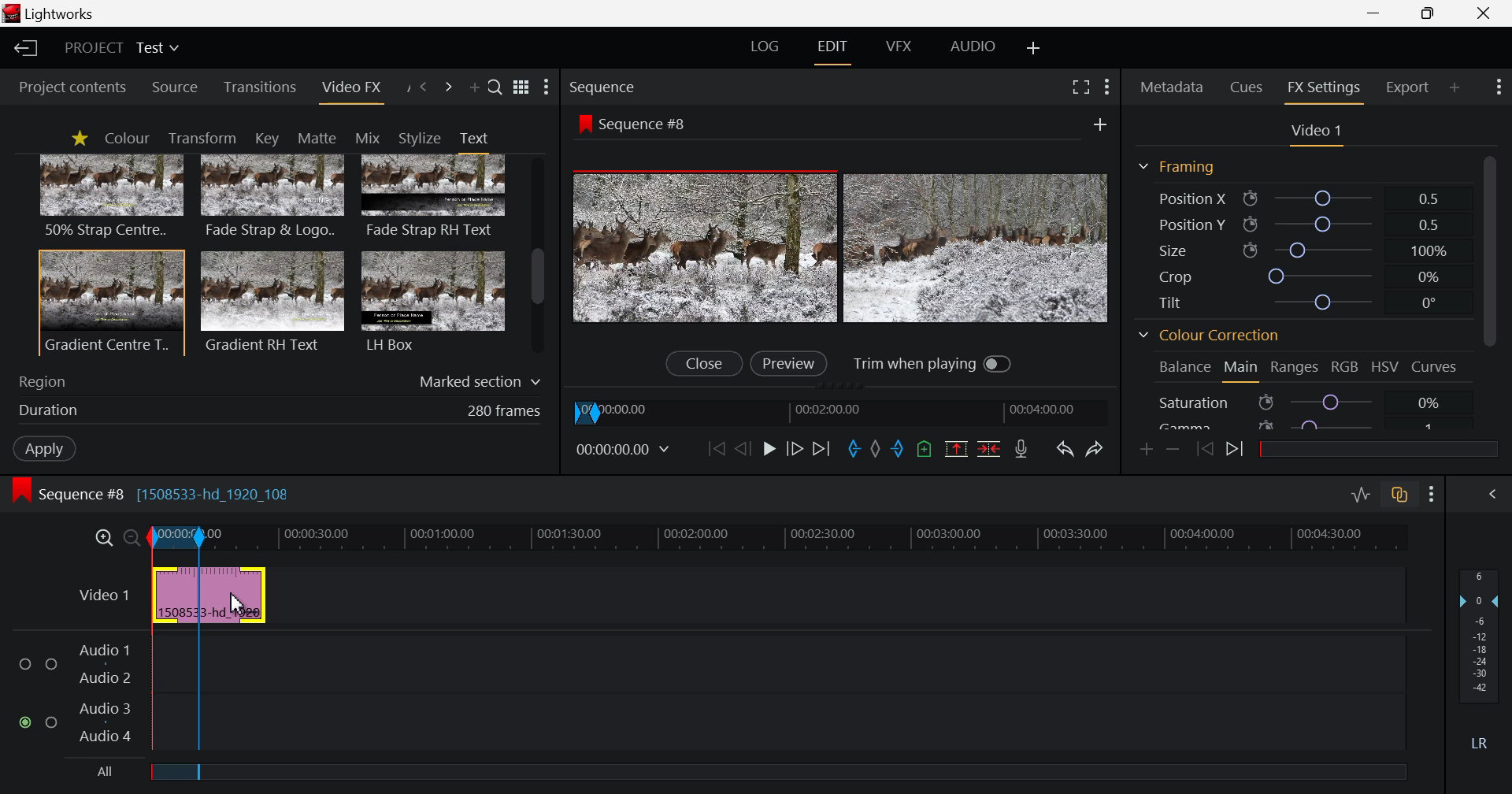  What do you see at coordinates (424, 86) in the screenshot?
I see `Previous Panel` at bounding box center [424, 86].